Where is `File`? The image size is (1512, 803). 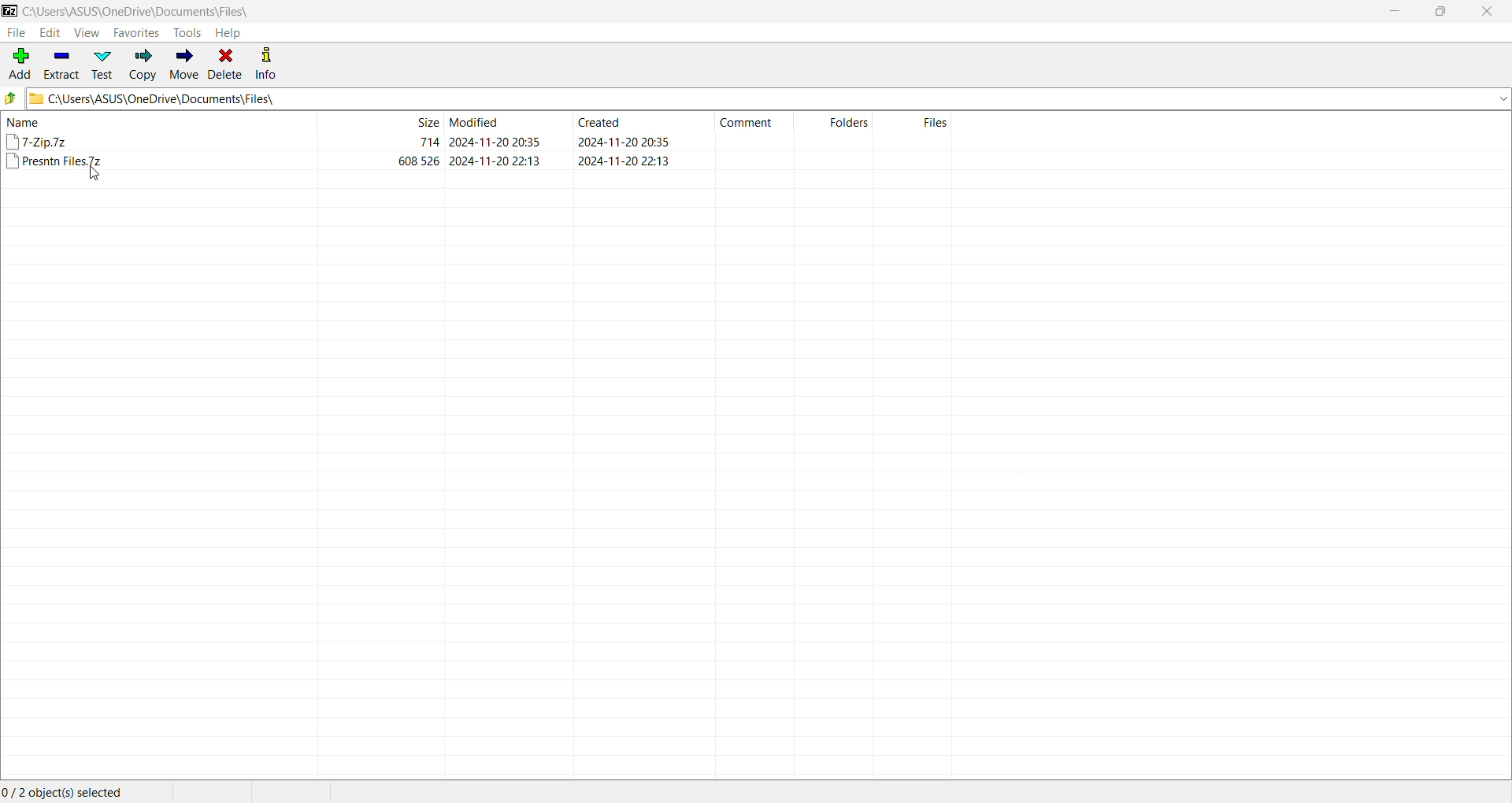 File is located at coordinates (16, 33).